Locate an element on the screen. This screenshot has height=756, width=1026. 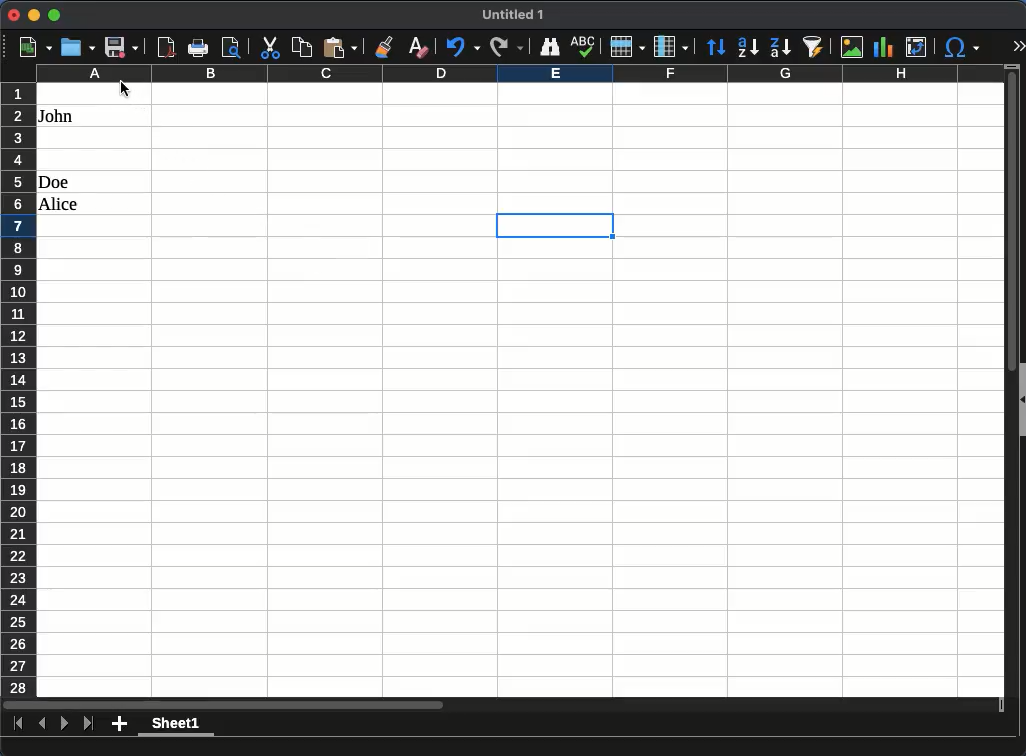
sheet1 is located at coordinates (174, 726).